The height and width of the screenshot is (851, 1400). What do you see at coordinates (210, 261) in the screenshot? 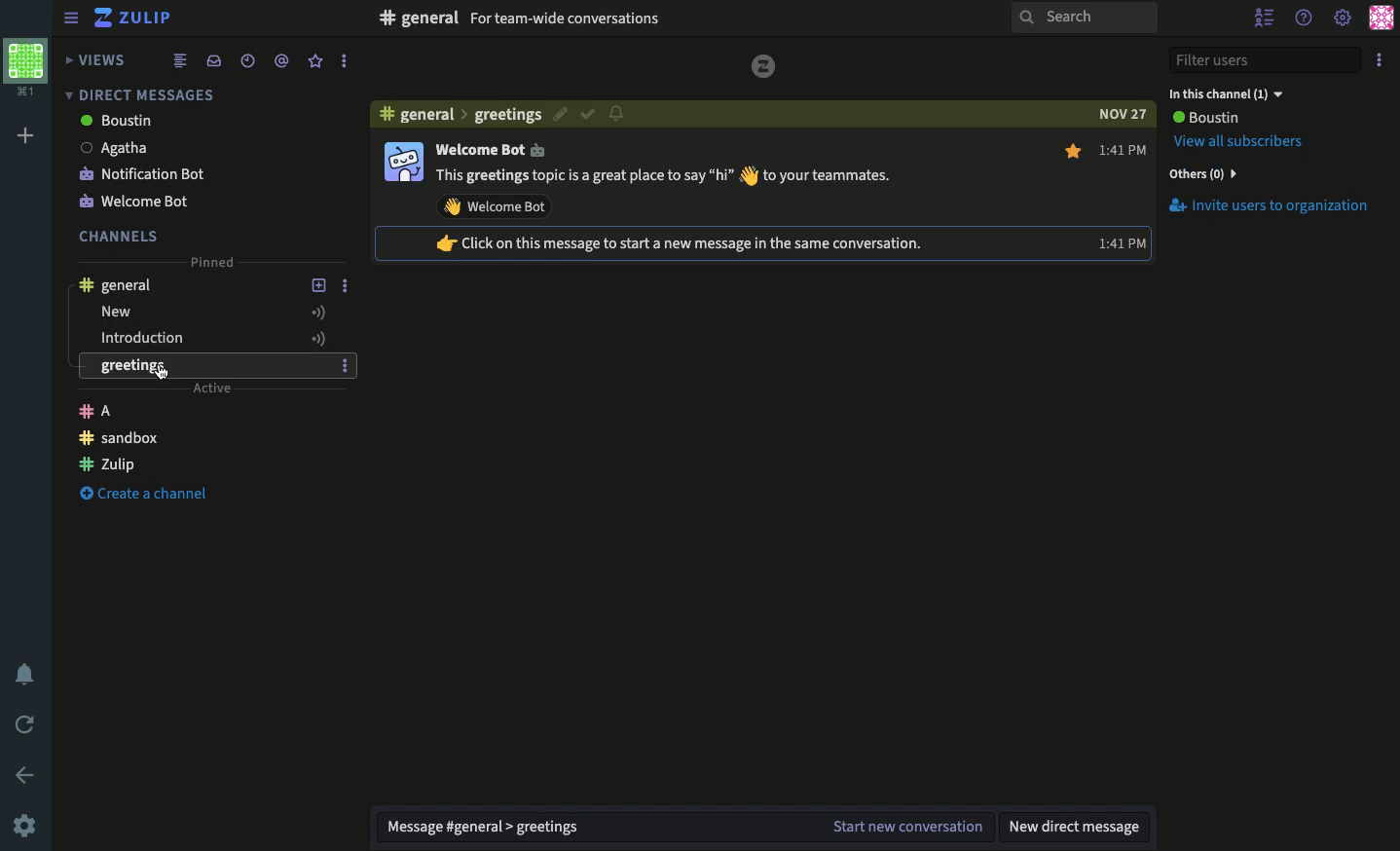
I see `Pinned` at bounding box center [210, 261].